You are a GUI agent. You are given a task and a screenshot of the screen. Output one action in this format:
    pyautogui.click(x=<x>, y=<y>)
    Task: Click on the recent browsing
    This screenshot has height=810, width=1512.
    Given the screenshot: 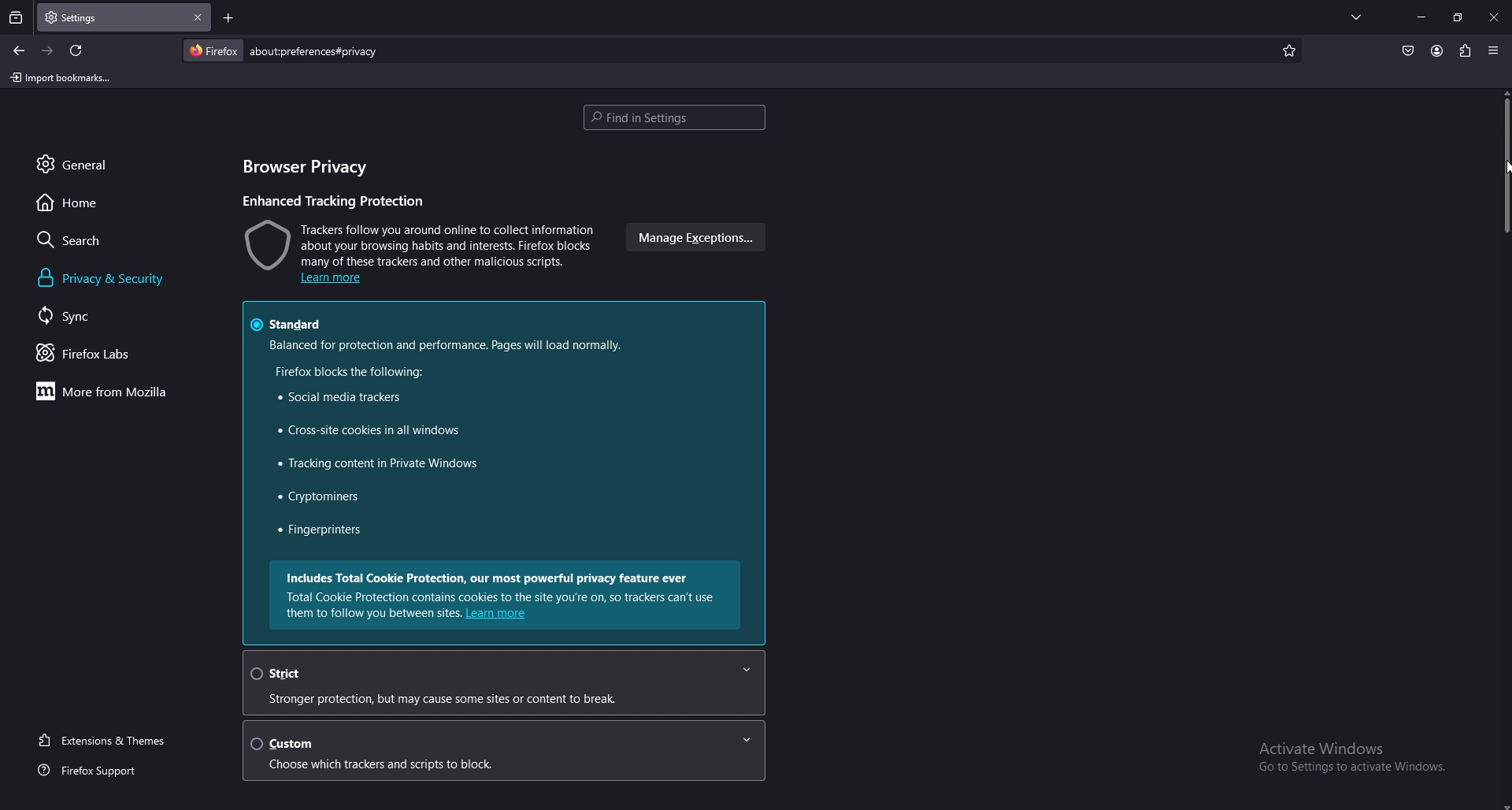 What is the action you would take?
    pyautogui.click(x=16, y=19)
    